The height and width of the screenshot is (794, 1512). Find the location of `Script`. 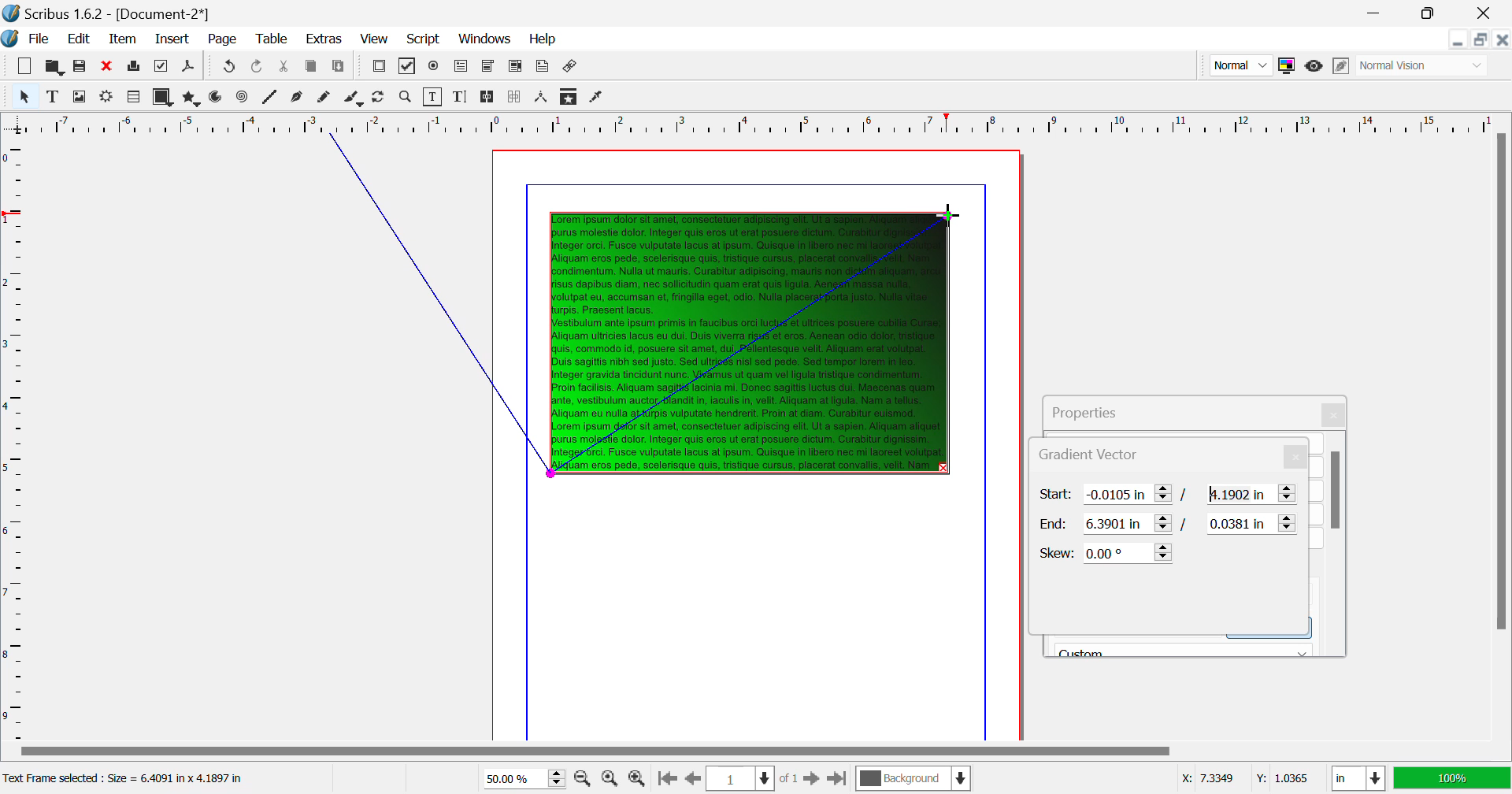

Script is located at coordinates (424, 38).